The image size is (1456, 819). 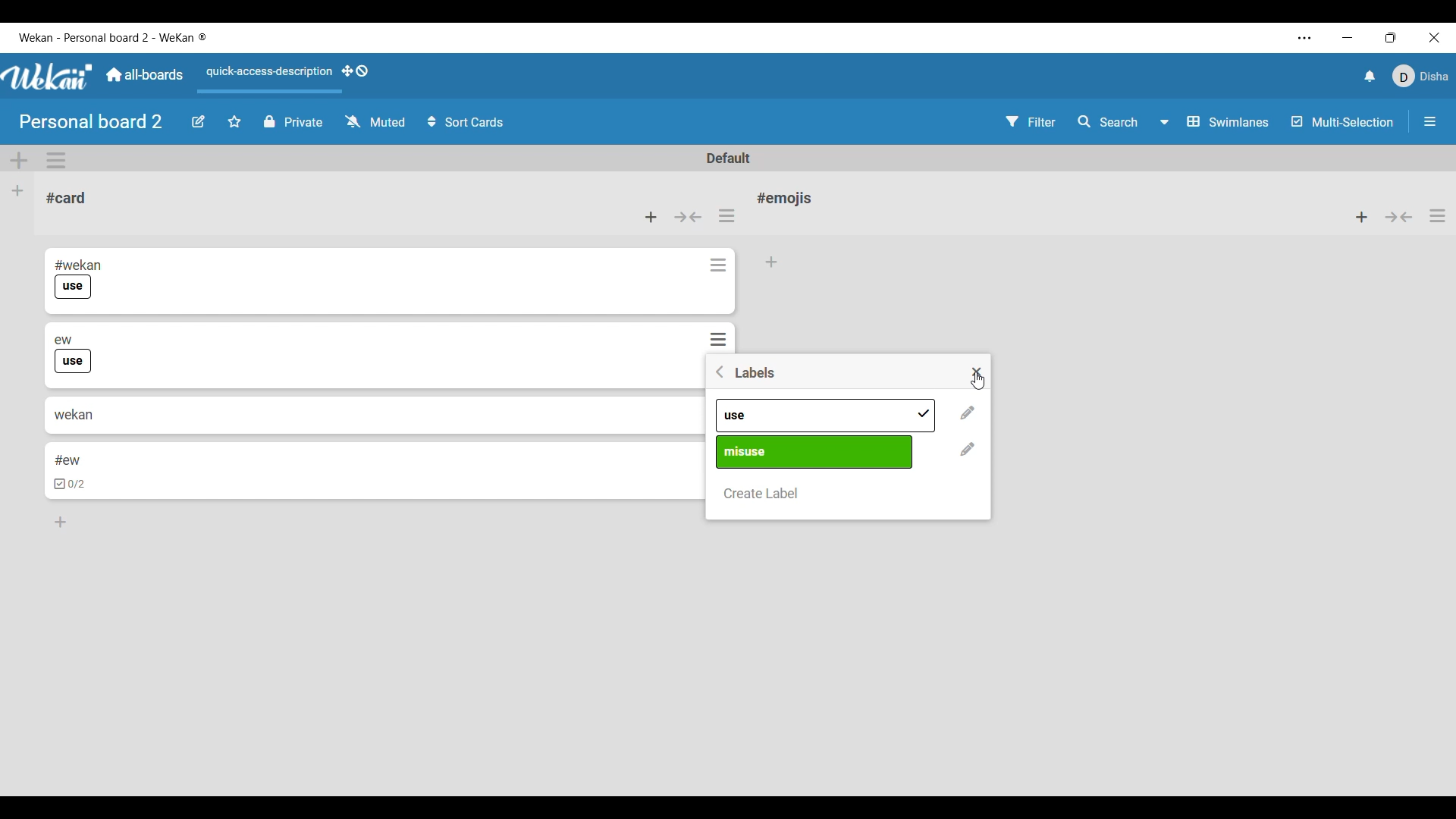 I want to click on Watch options, so click(x=375, y=121).